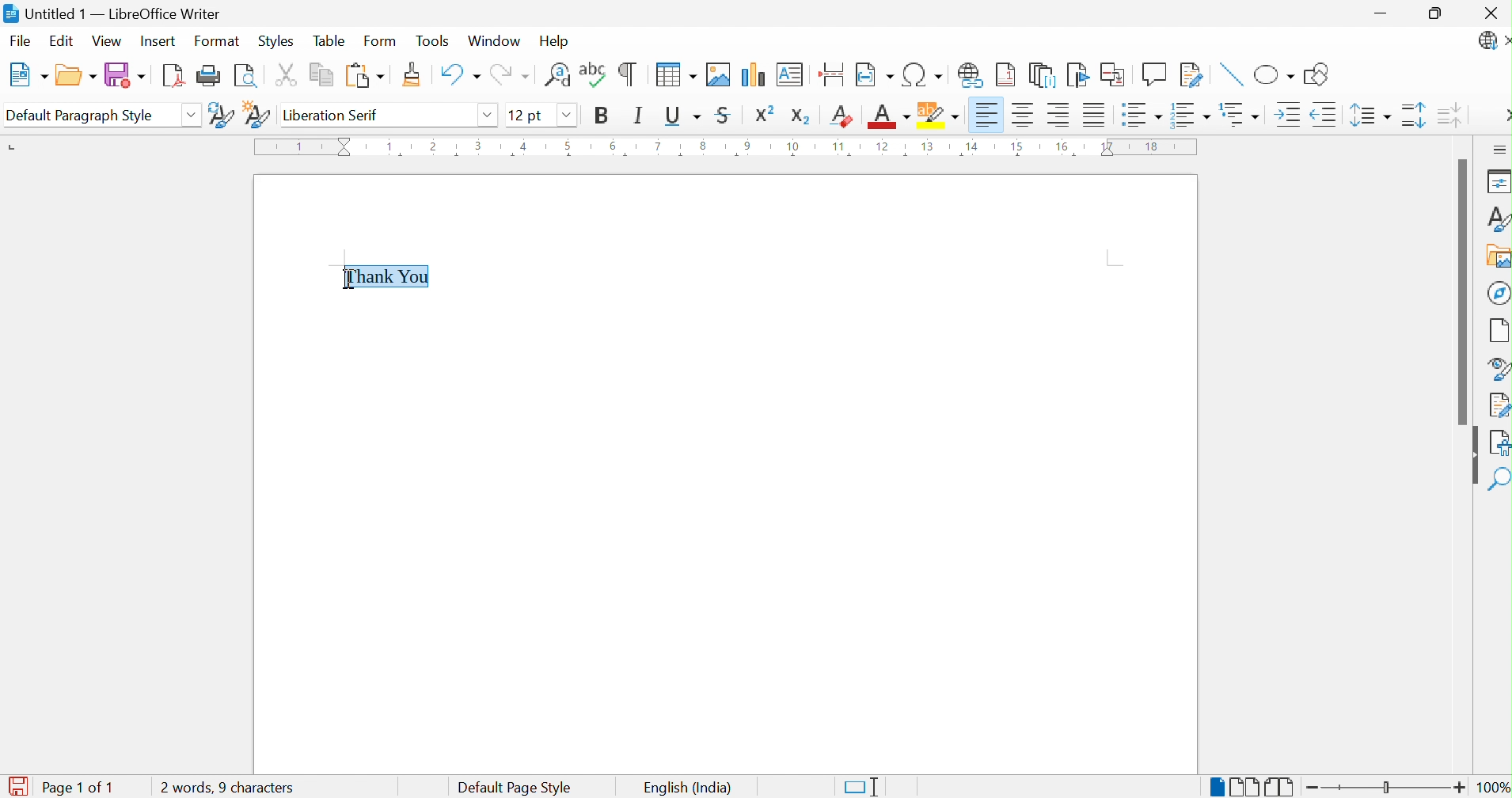 Image resolution: width=1512 pixels, height=798 pixels. Describe the element at coordinates (1492, 217) in the screenshot. I see `Styles` at that location.